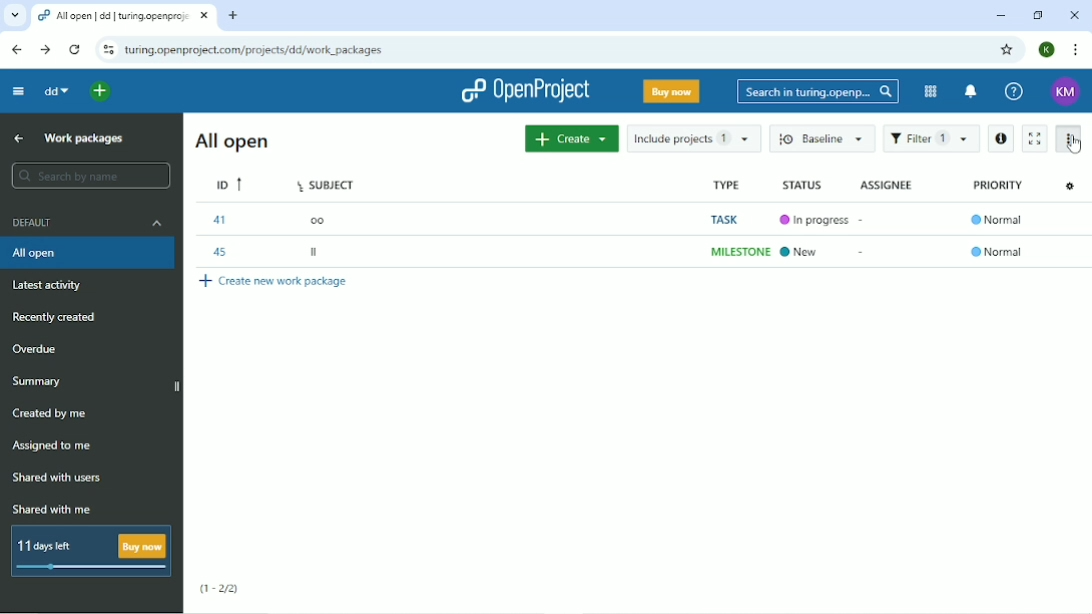  I want to click on Milestone, so click(736, 252).